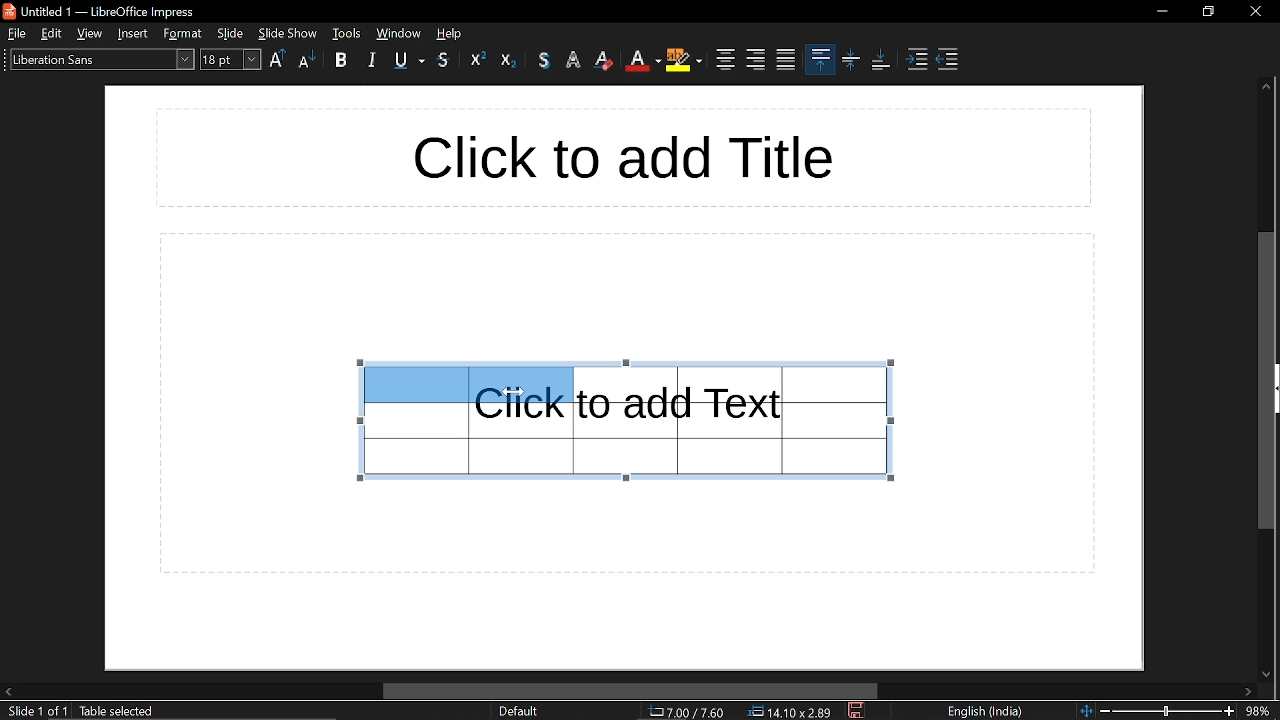 The image size is (1280, 720). I want to click on Table, so click(467, 447).